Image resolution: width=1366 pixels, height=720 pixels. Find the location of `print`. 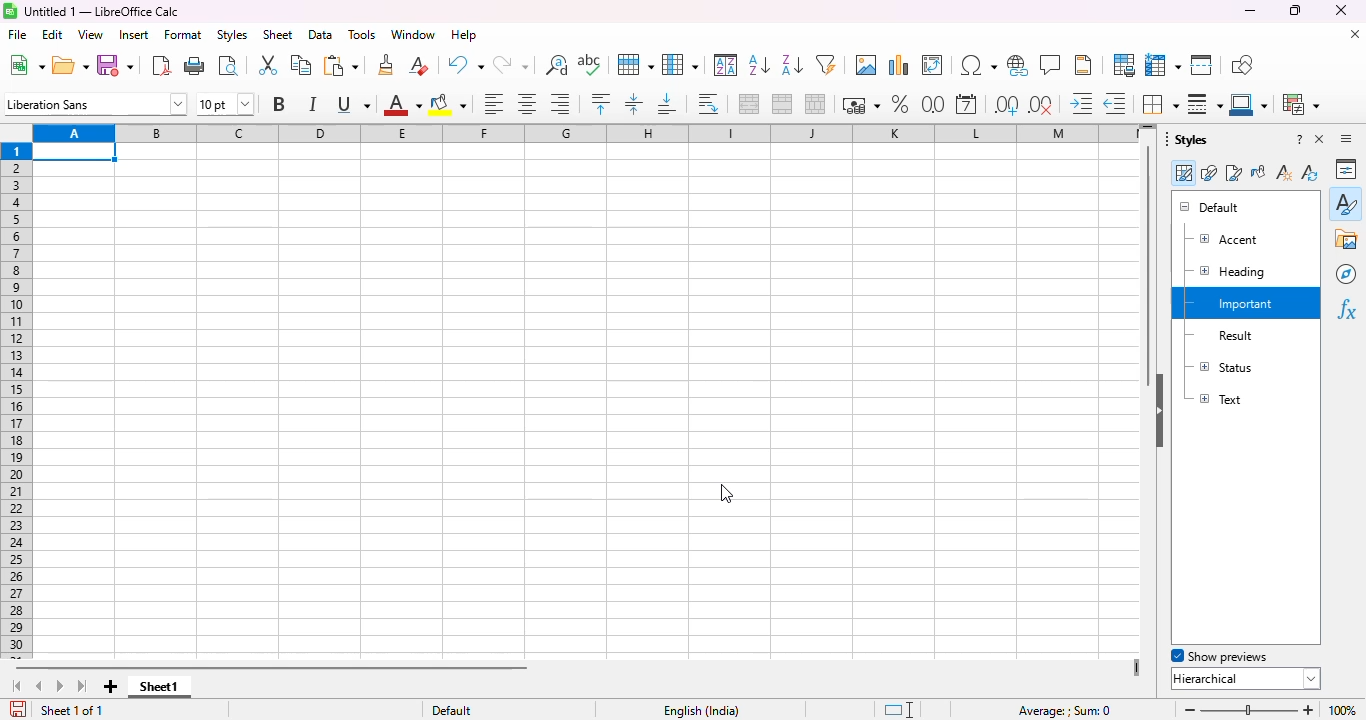

print is located at coordinates (195, 64).